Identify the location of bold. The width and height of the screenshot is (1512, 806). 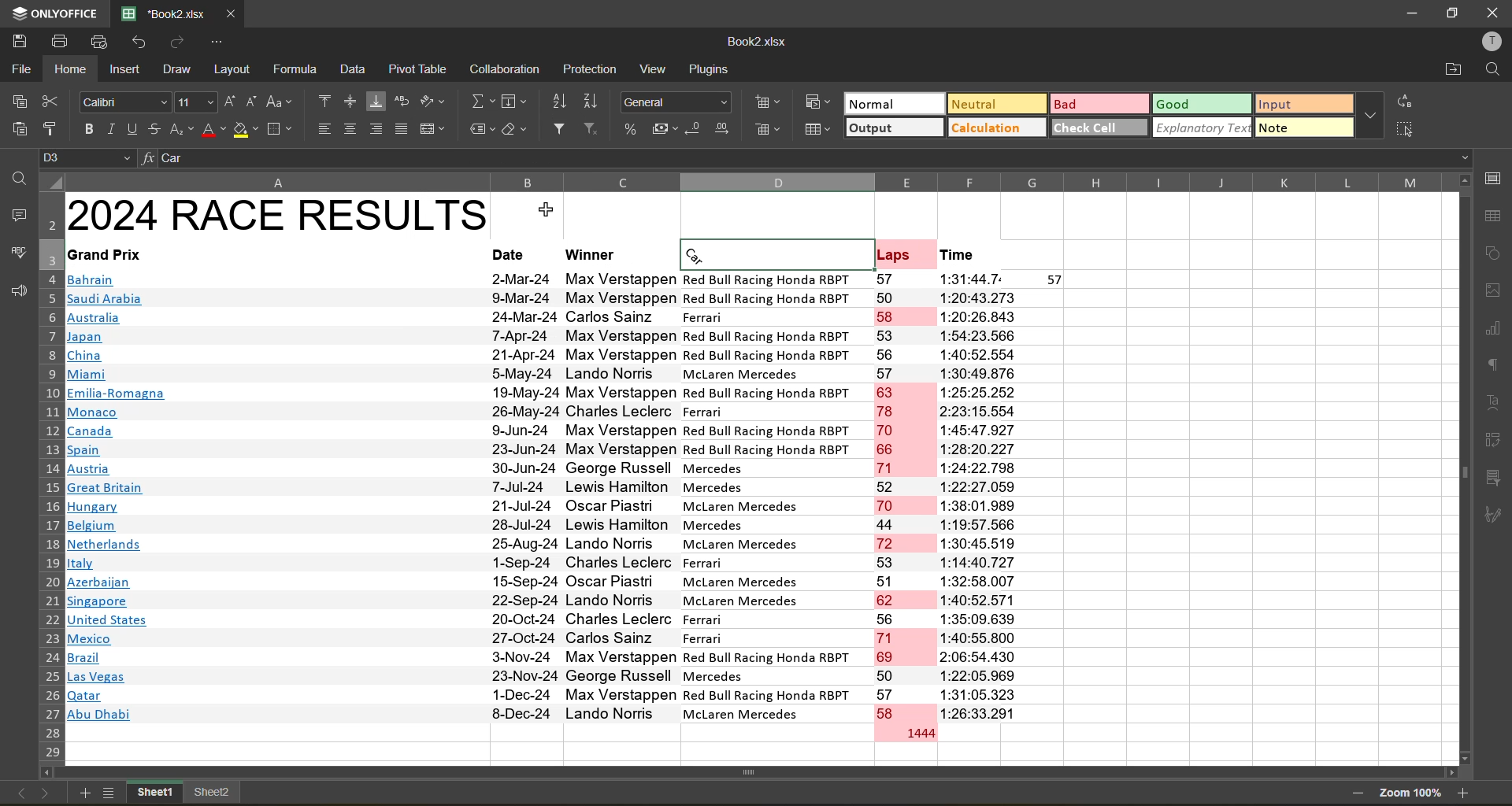
(85, 130).